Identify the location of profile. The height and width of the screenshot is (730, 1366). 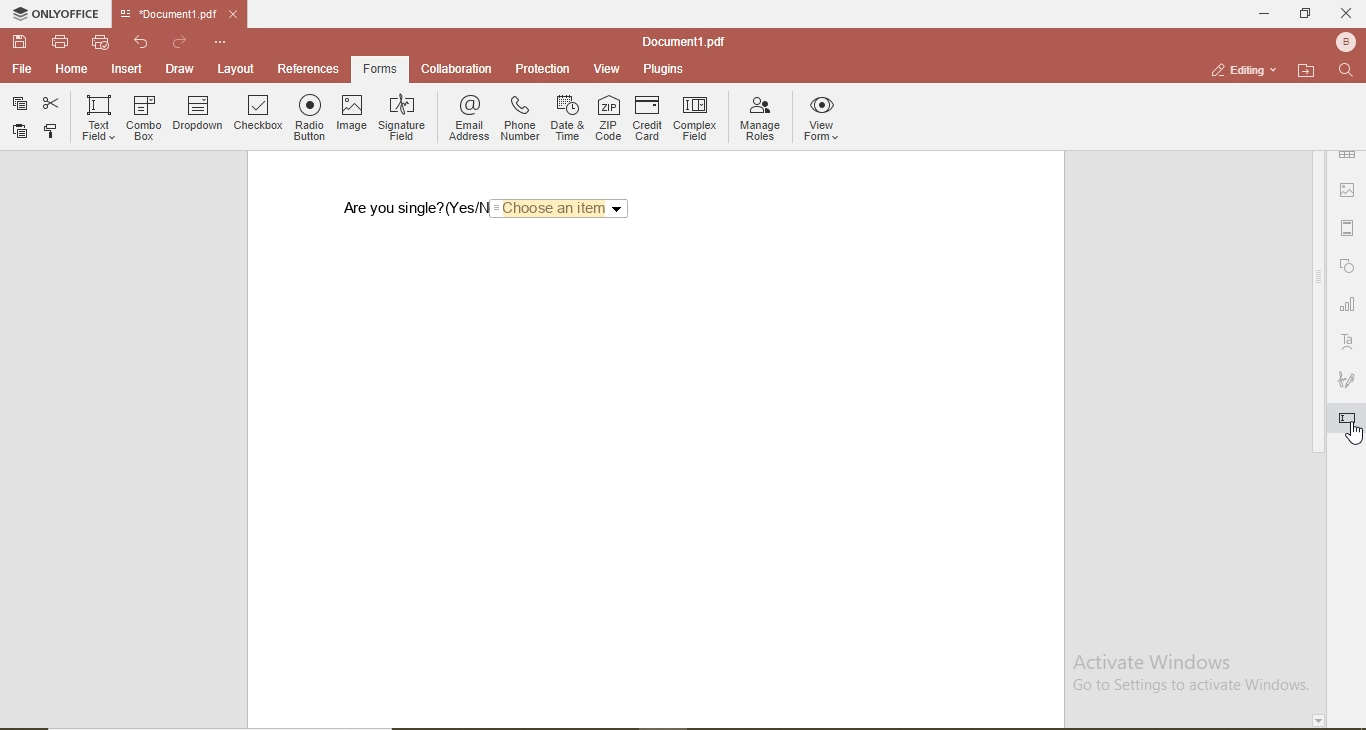
(1347, 43).